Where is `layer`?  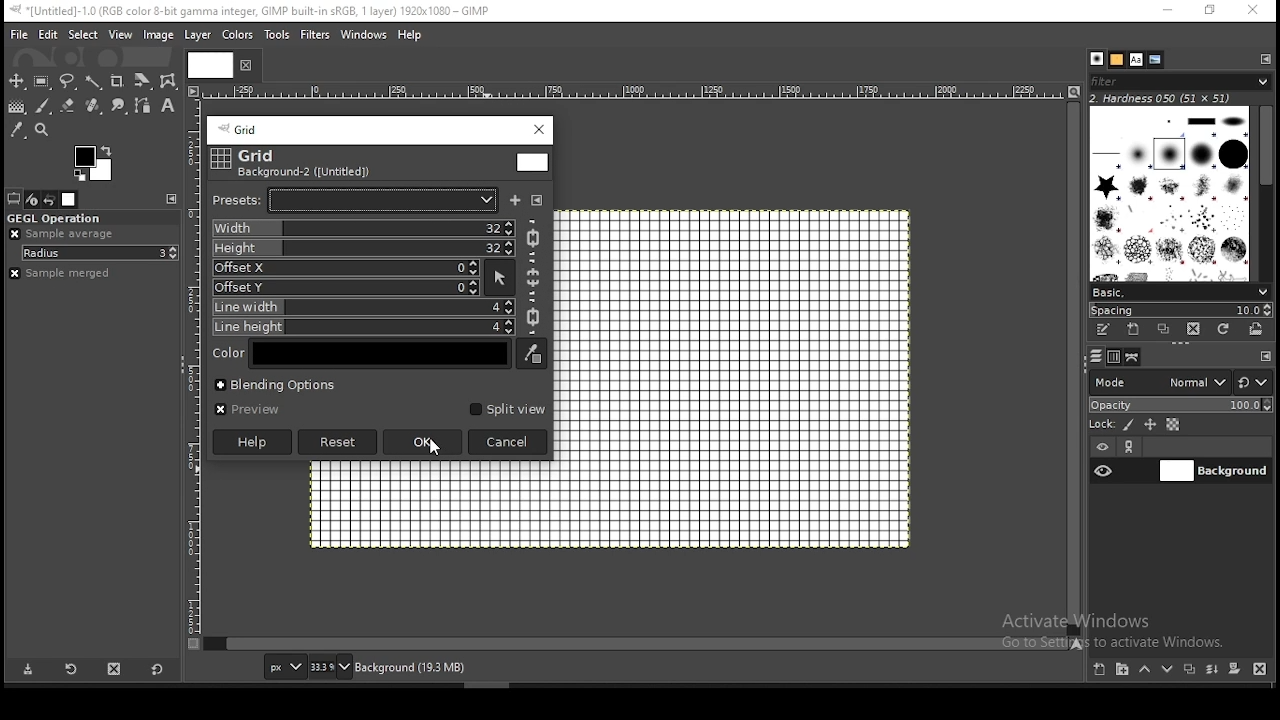 layer is located at coordinates (198, 35).